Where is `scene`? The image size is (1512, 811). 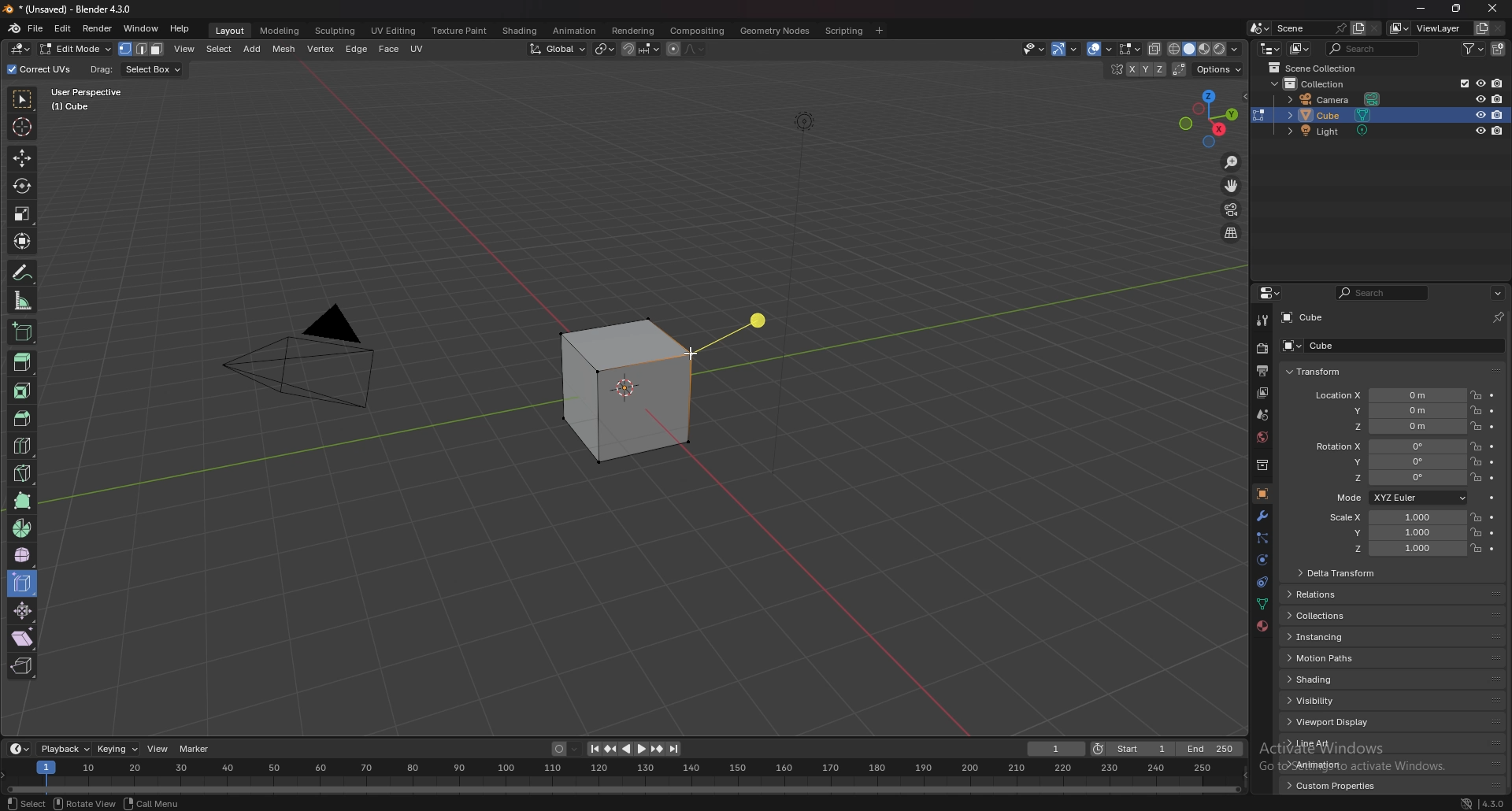
scene is located at coordinates (1311, 27).